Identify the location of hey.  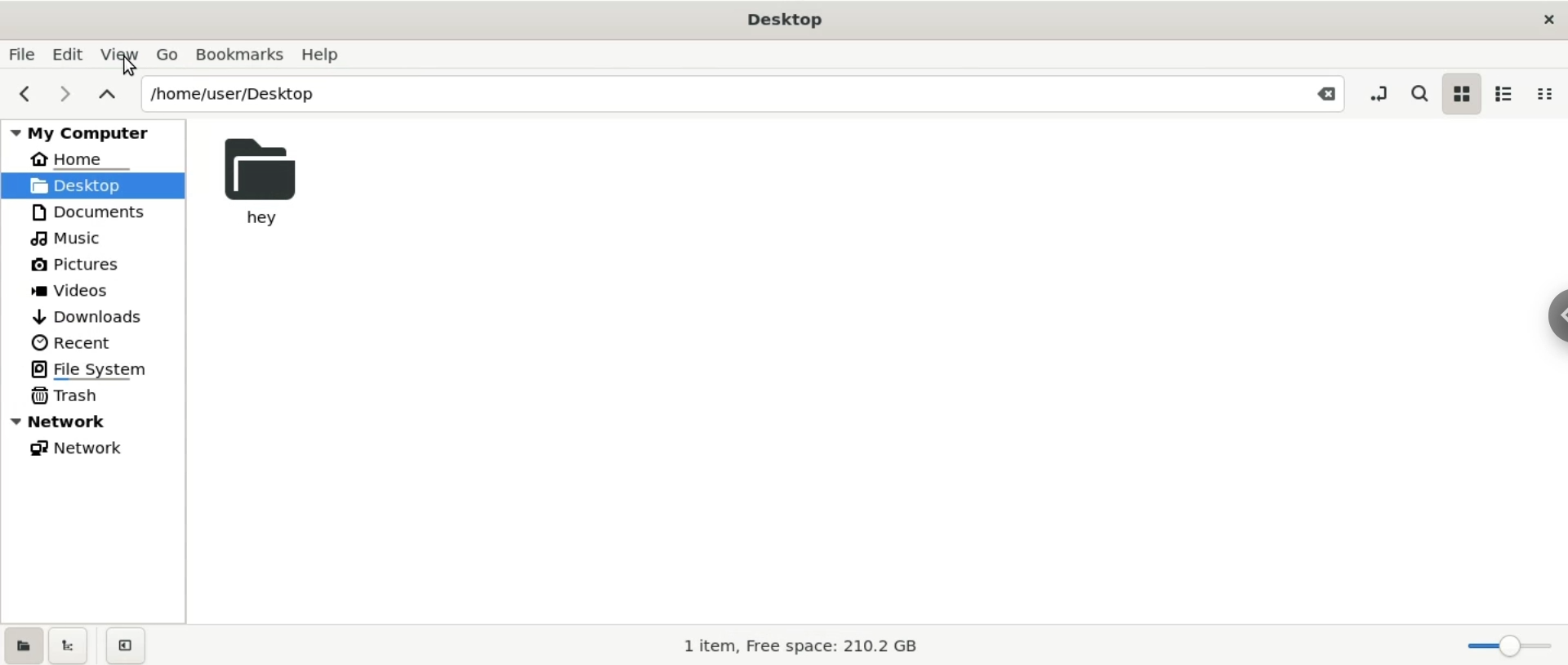
(258, 182).